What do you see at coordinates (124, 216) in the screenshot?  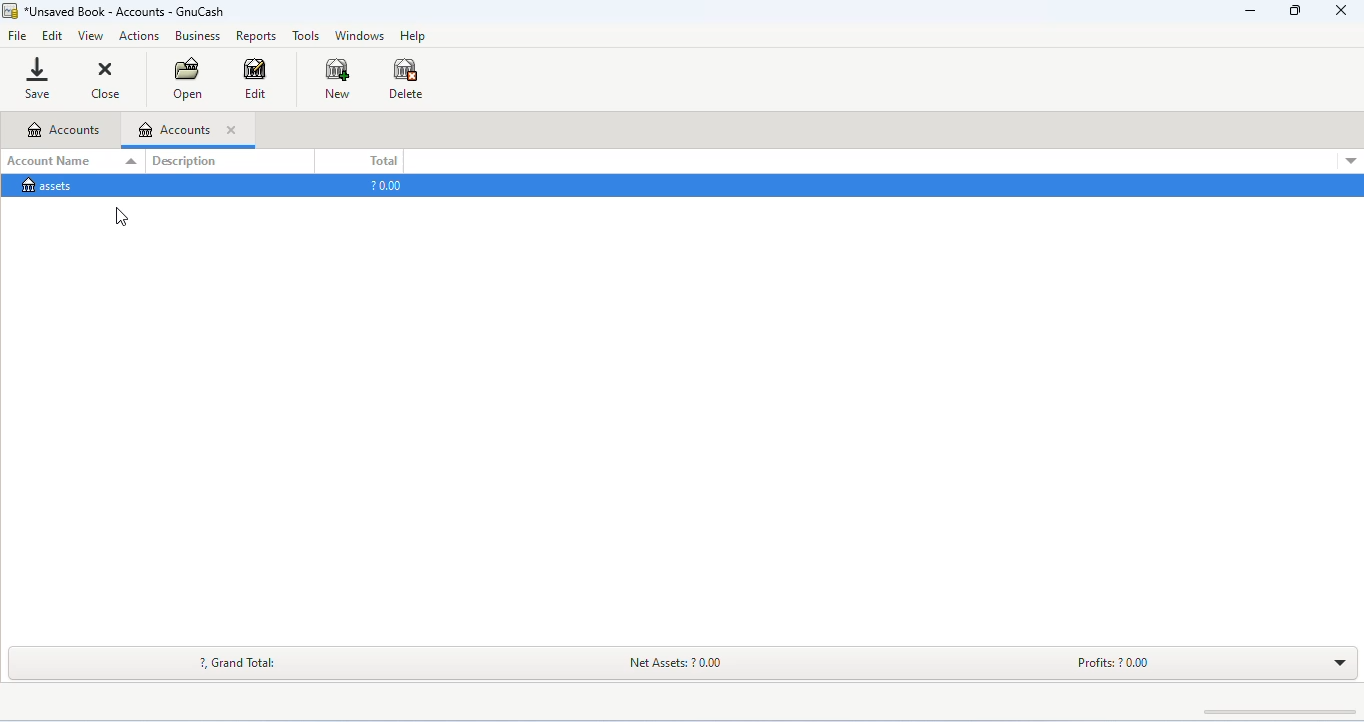 I see `cursor` at bounding box center [124, 216].